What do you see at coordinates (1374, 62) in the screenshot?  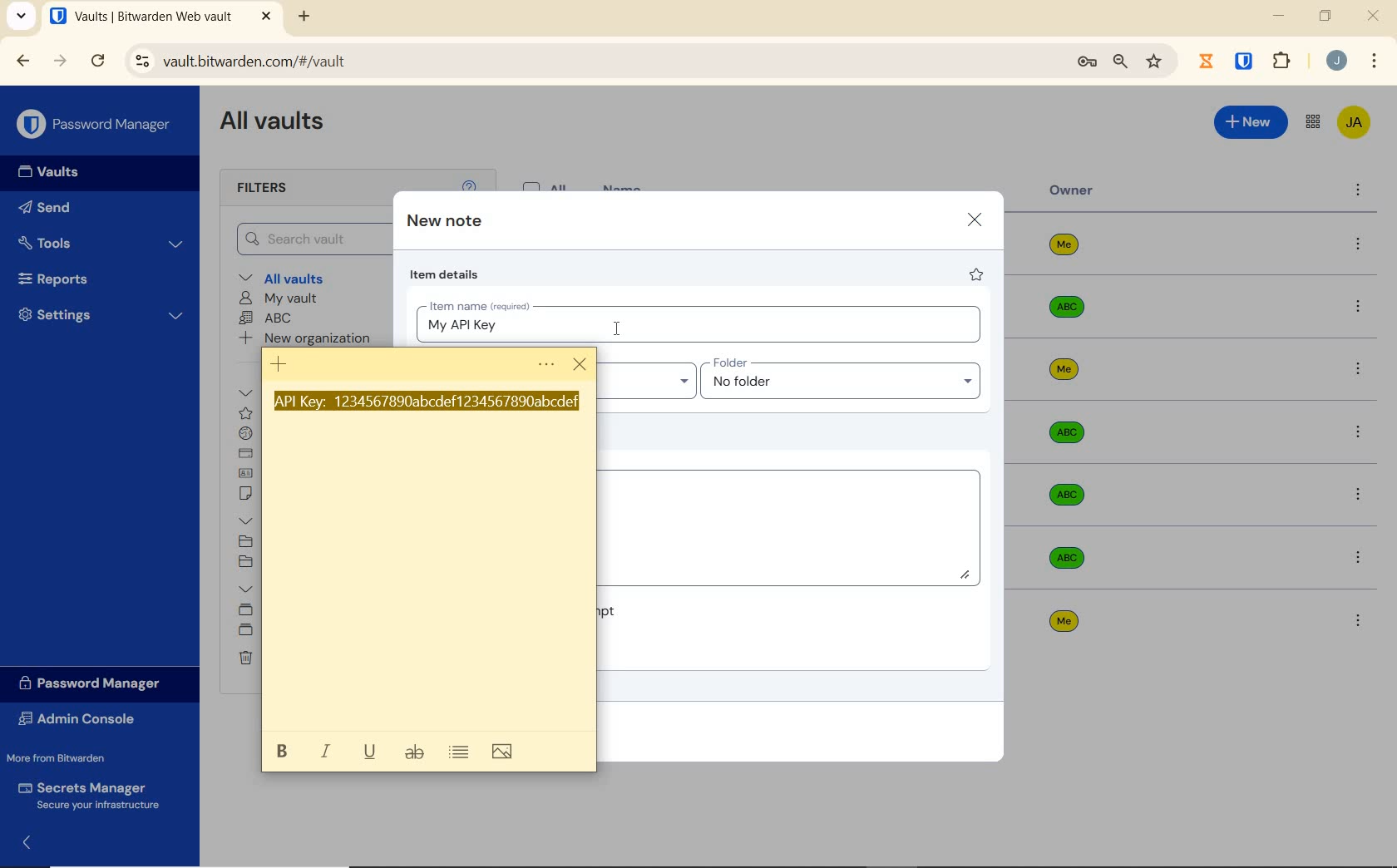 I see `customize Google chrome` at bounding box center [1374, 62].